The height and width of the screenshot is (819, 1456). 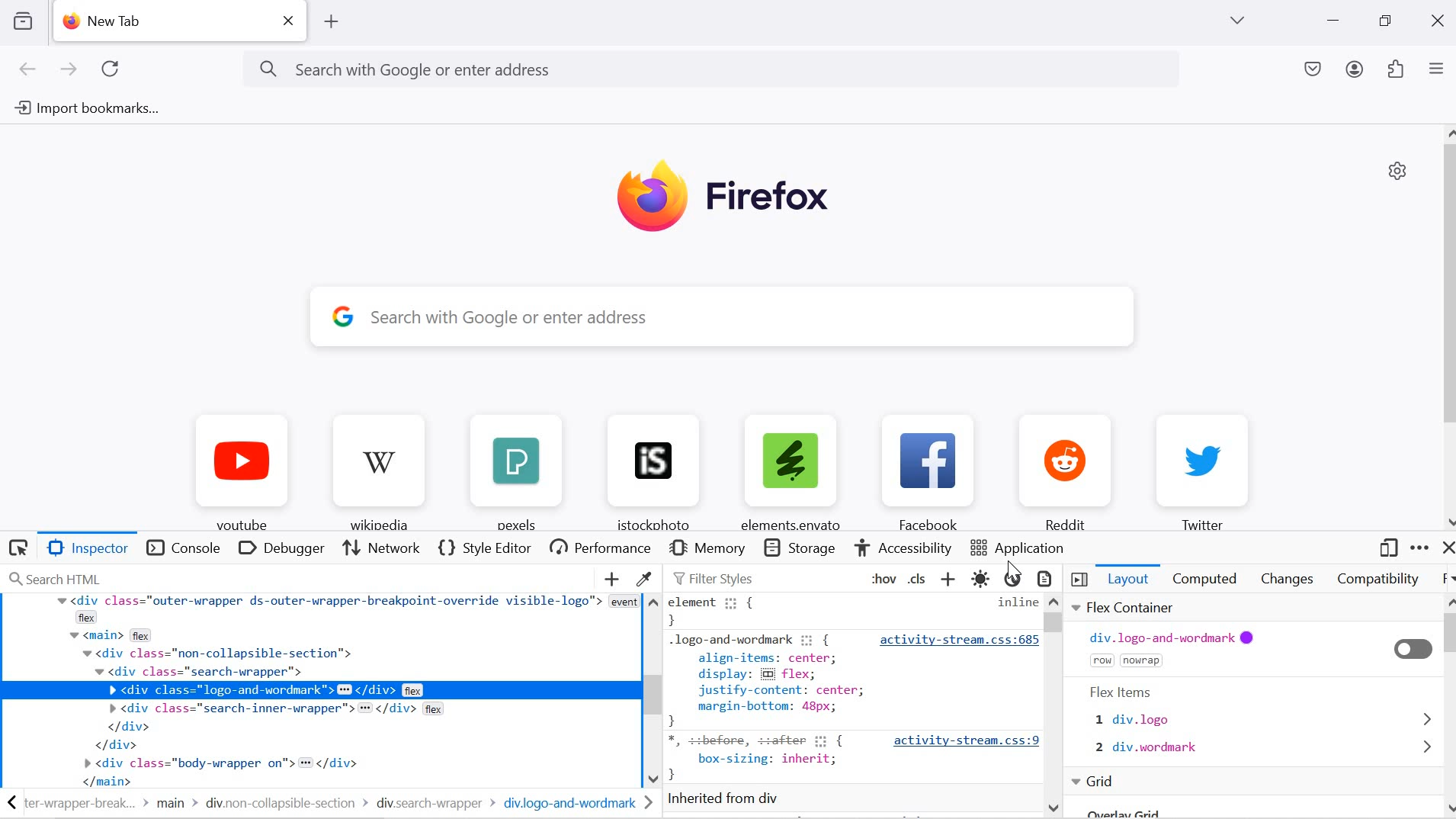 I want to click on search HTML, so click(x=295, y=578).